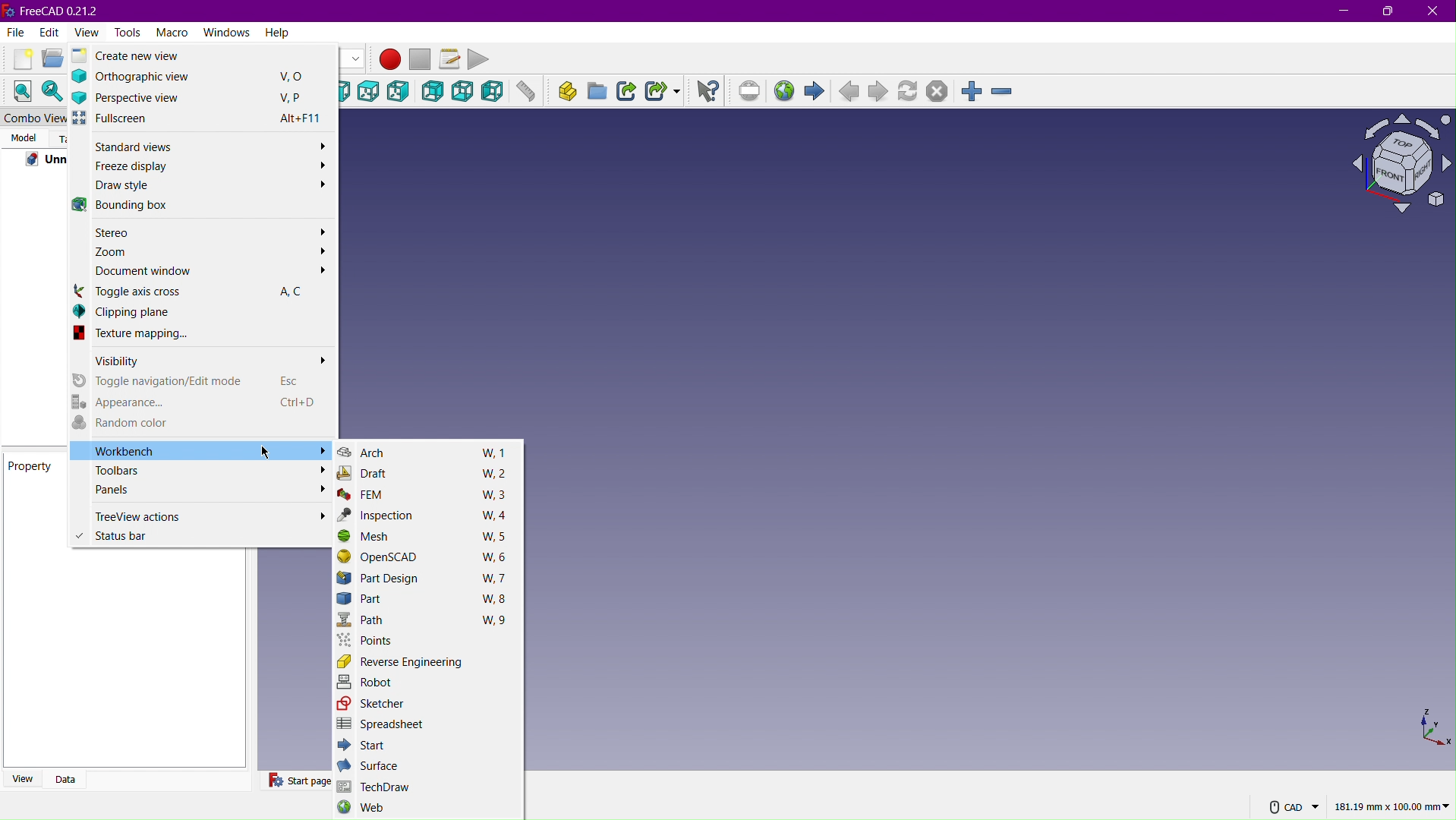 This screenshot has height=820, width=1456. I want to click on Surface, so click(369, 766).